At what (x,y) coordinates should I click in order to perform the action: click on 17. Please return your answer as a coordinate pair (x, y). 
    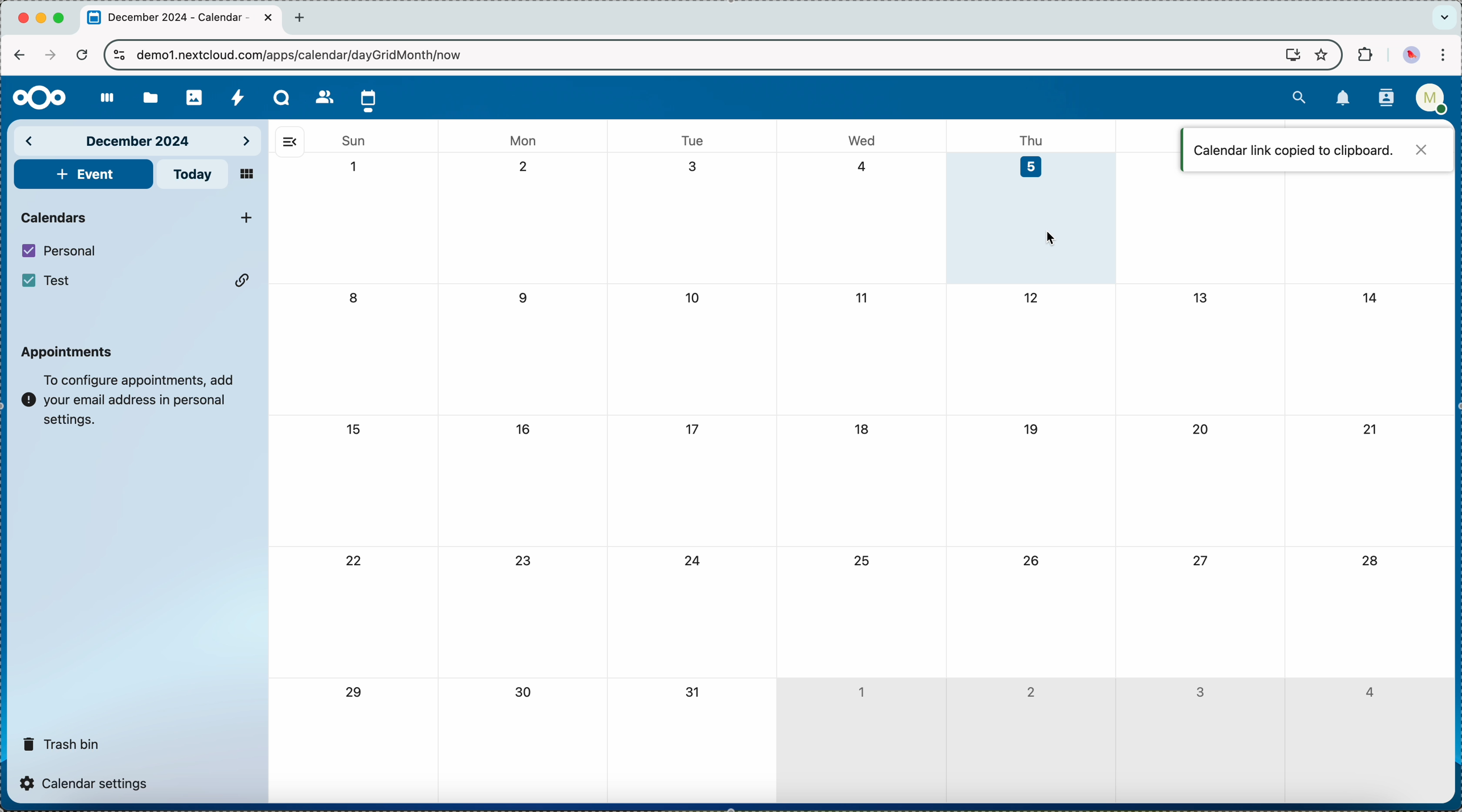
    Looking at the image, I should click on (694, 430).